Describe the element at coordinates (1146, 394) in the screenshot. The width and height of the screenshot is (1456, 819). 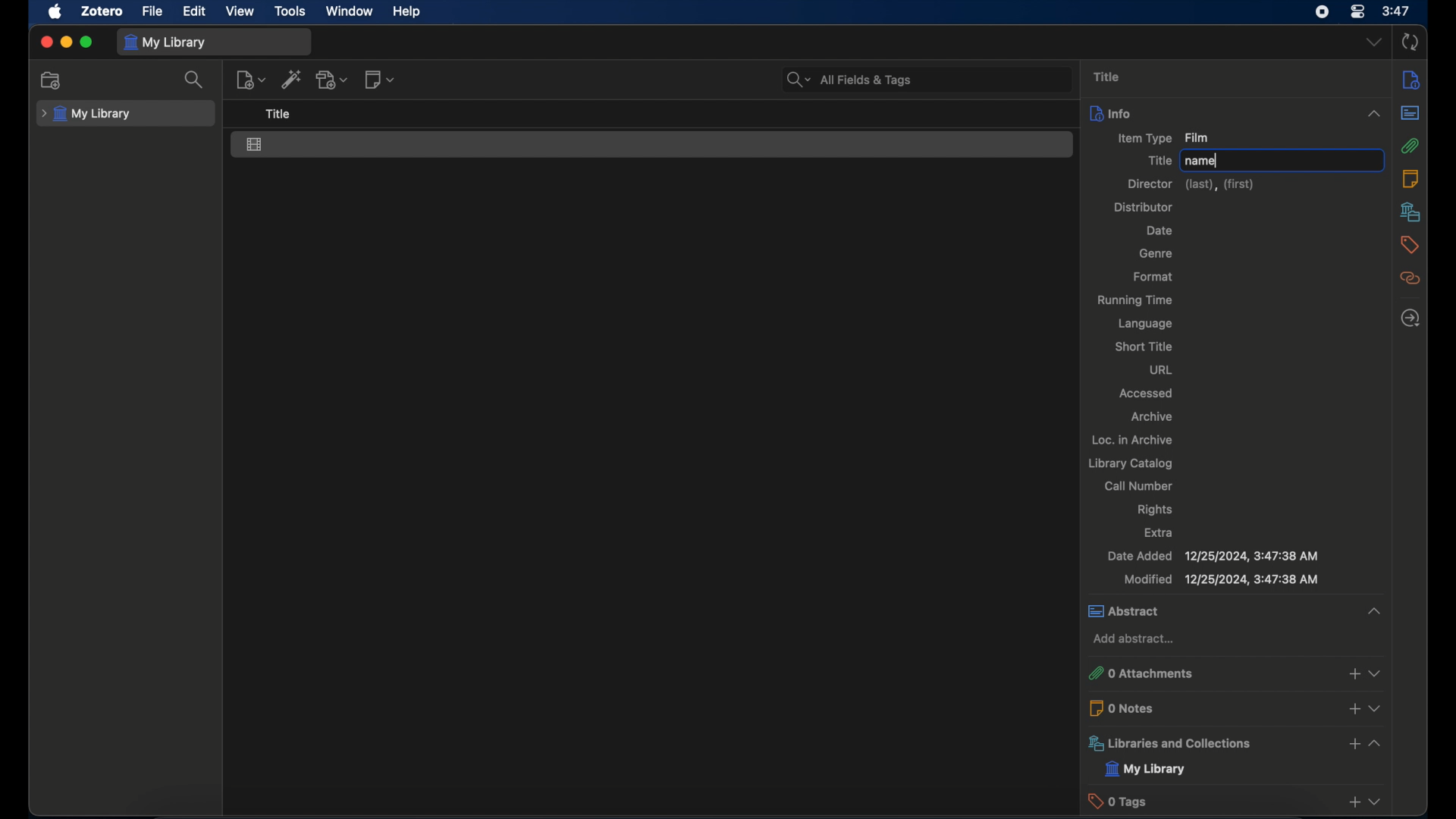
I see `accessed` at that location.